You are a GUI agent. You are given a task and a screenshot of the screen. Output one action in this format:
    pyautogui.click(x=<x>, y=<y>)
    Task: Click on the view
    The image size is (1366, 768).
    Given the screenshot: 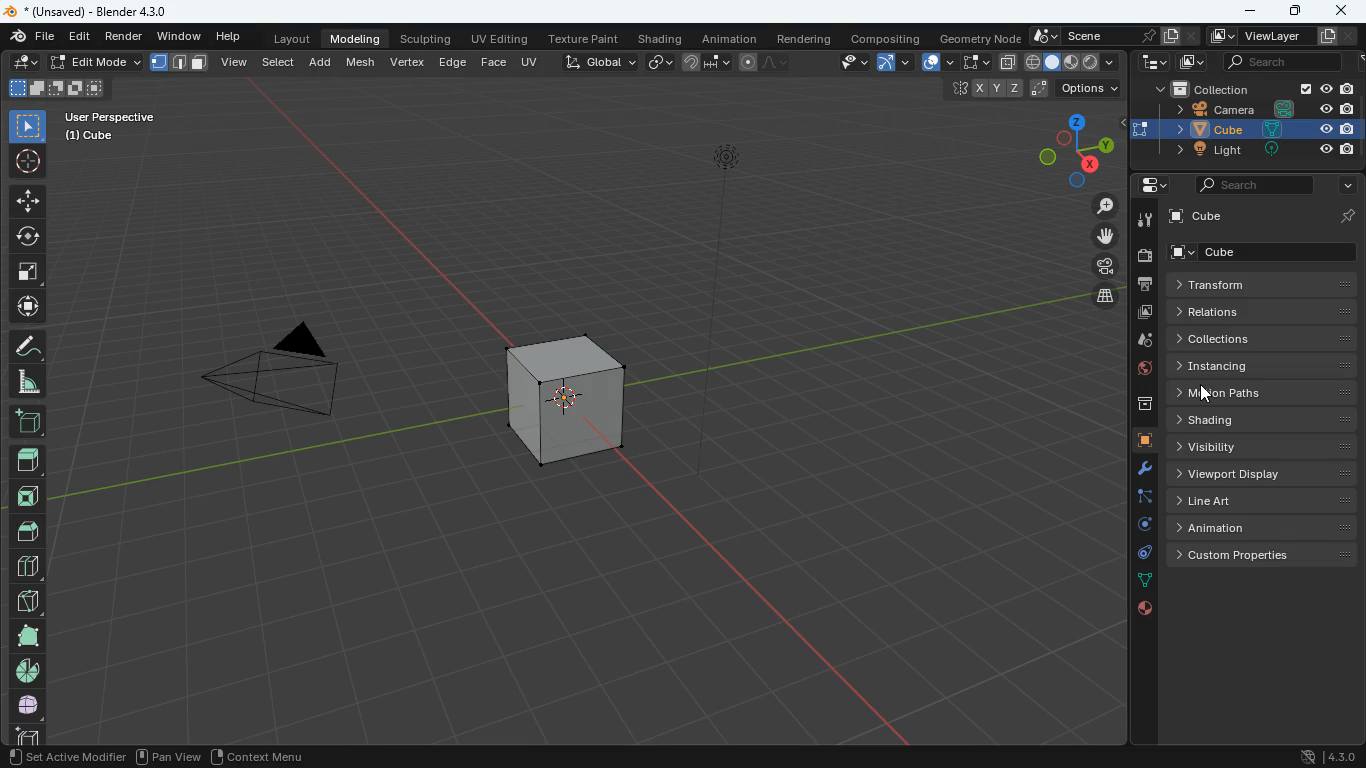 What is the action you would take?
    pyautogui.click(x=235, y=61)
    